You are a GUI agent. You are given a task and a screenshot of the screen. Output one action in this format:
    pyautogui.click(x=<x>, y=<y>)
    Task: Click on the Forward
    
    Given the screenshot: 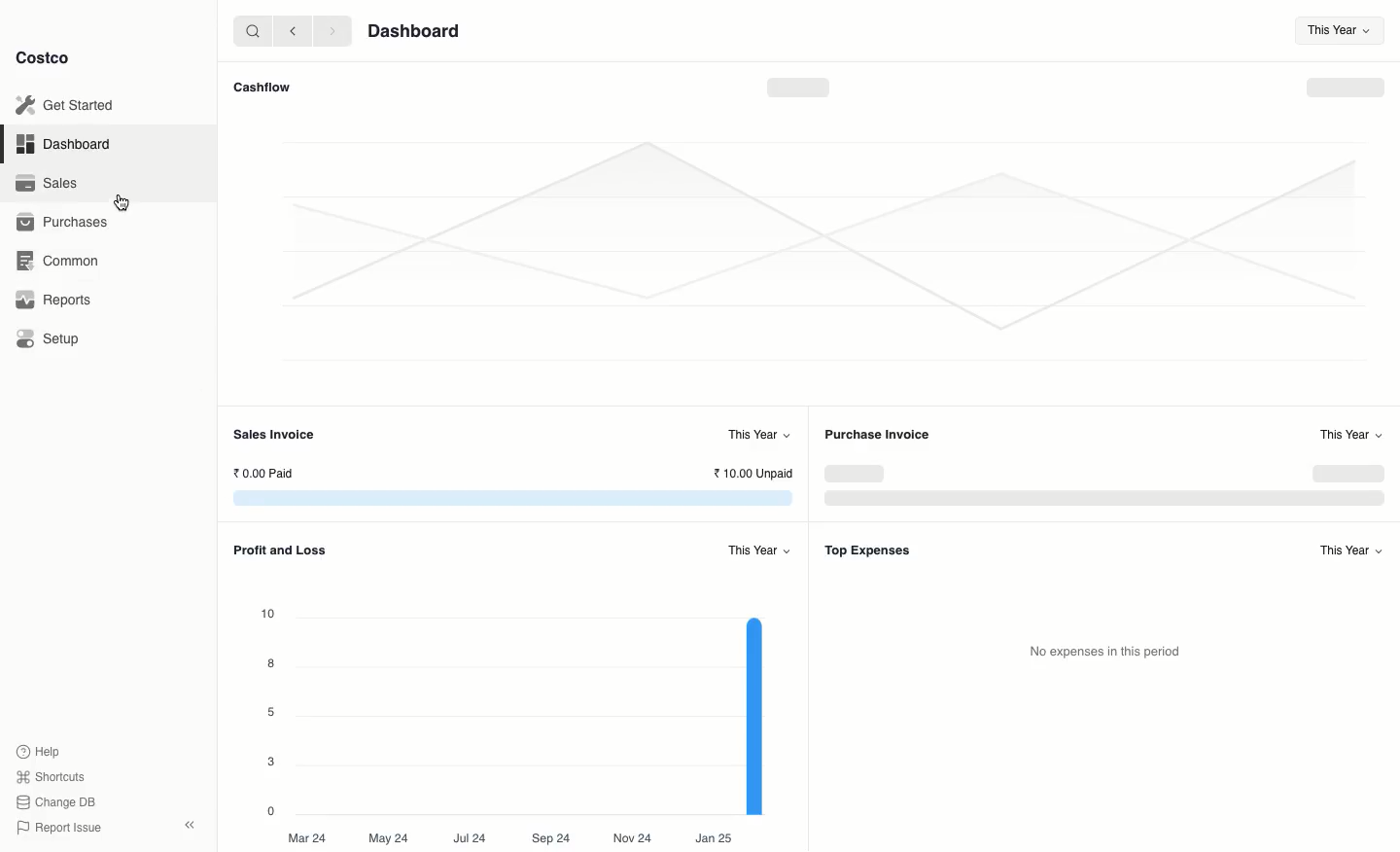 What is the action you would take?
    pyautogui.click(x=333, y=31)
    